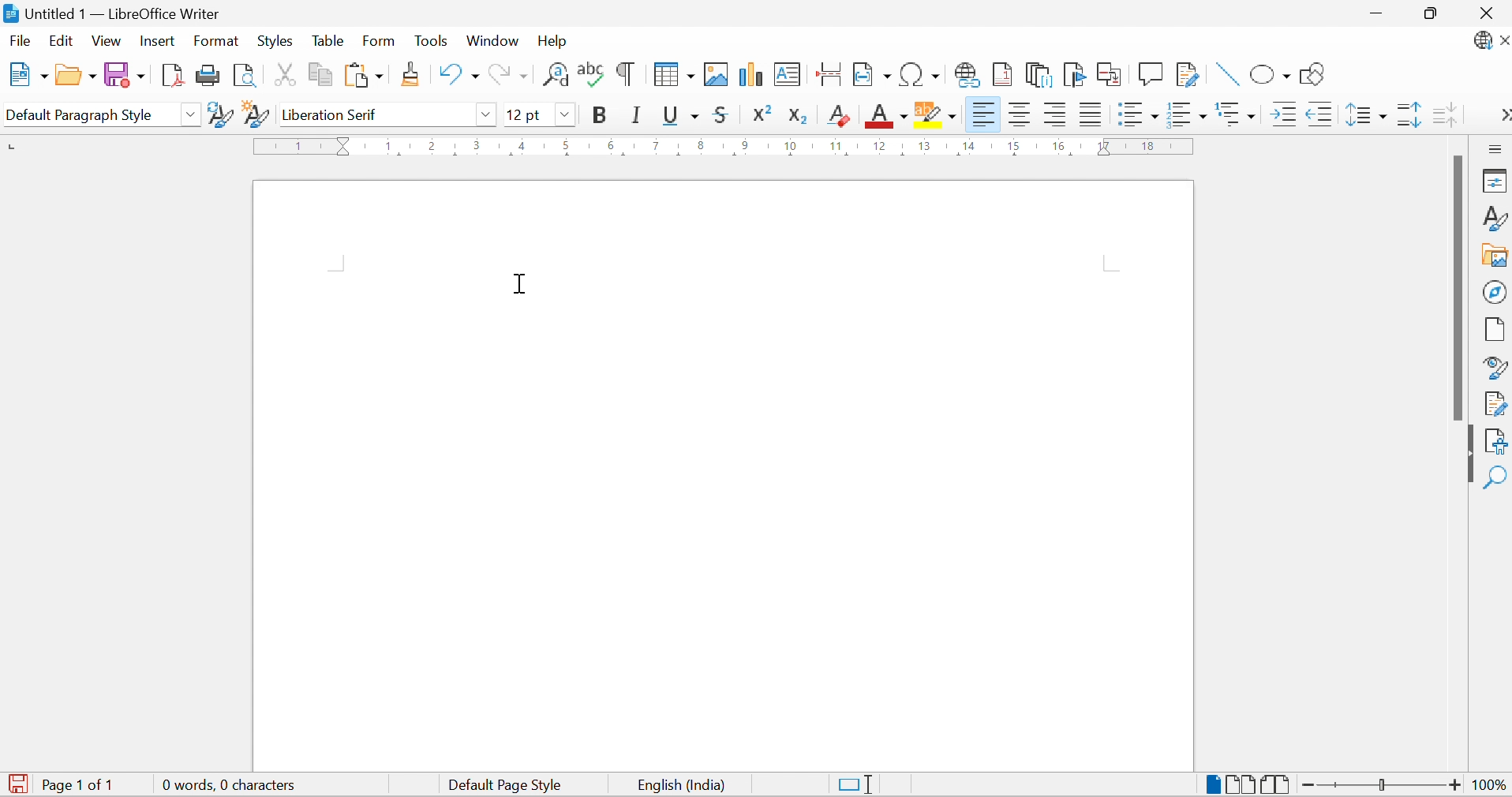 Image resolution: width=1512 pixels, height=797 pixels. What do you see at coordinates (1014, 146) in the screenshot?
I see `15` at bounding box center [1014, 146].